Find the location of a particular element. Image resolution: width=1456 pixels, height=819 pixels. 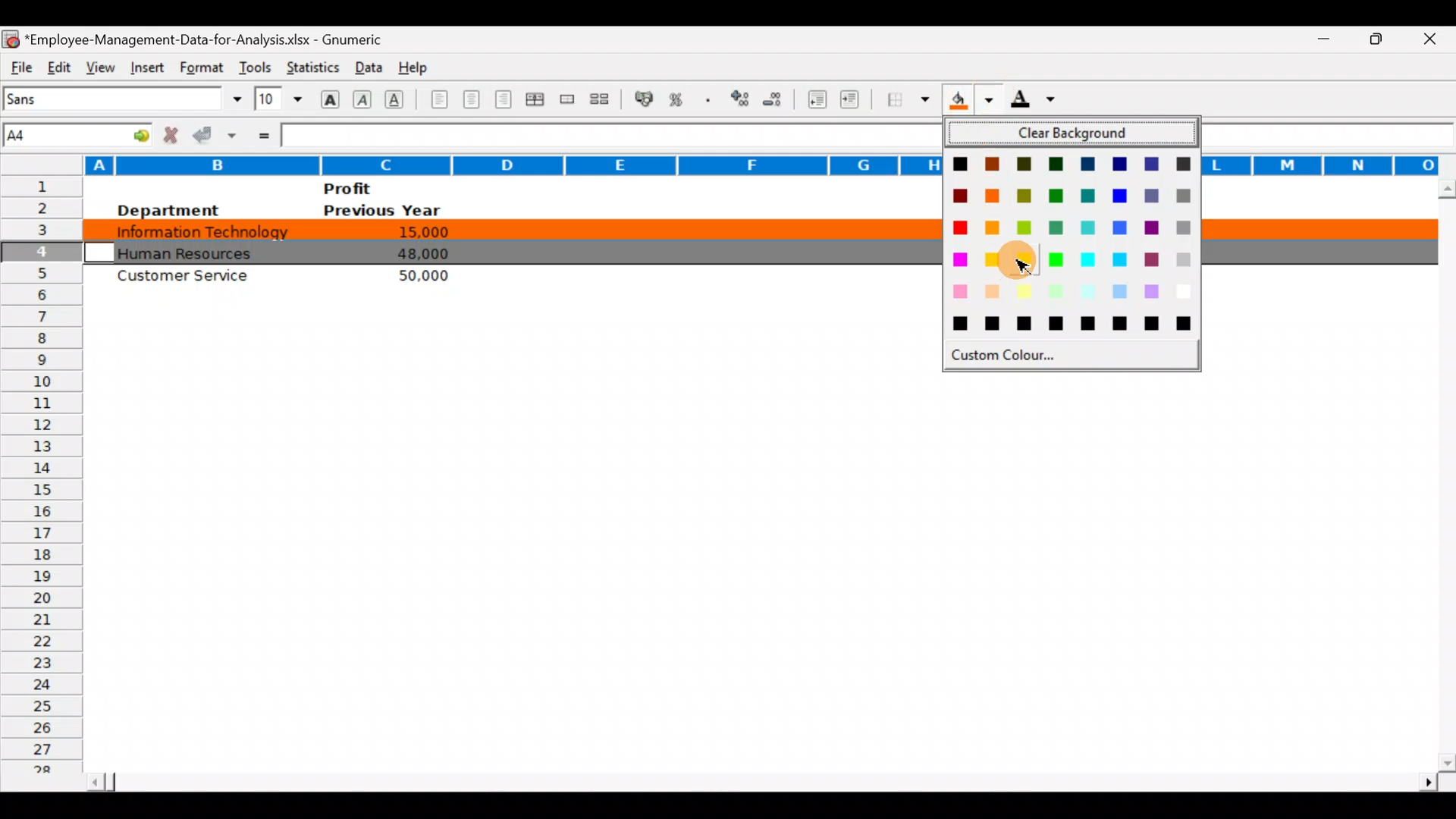

Format selection as accounting is located at coordinates (645, 97).